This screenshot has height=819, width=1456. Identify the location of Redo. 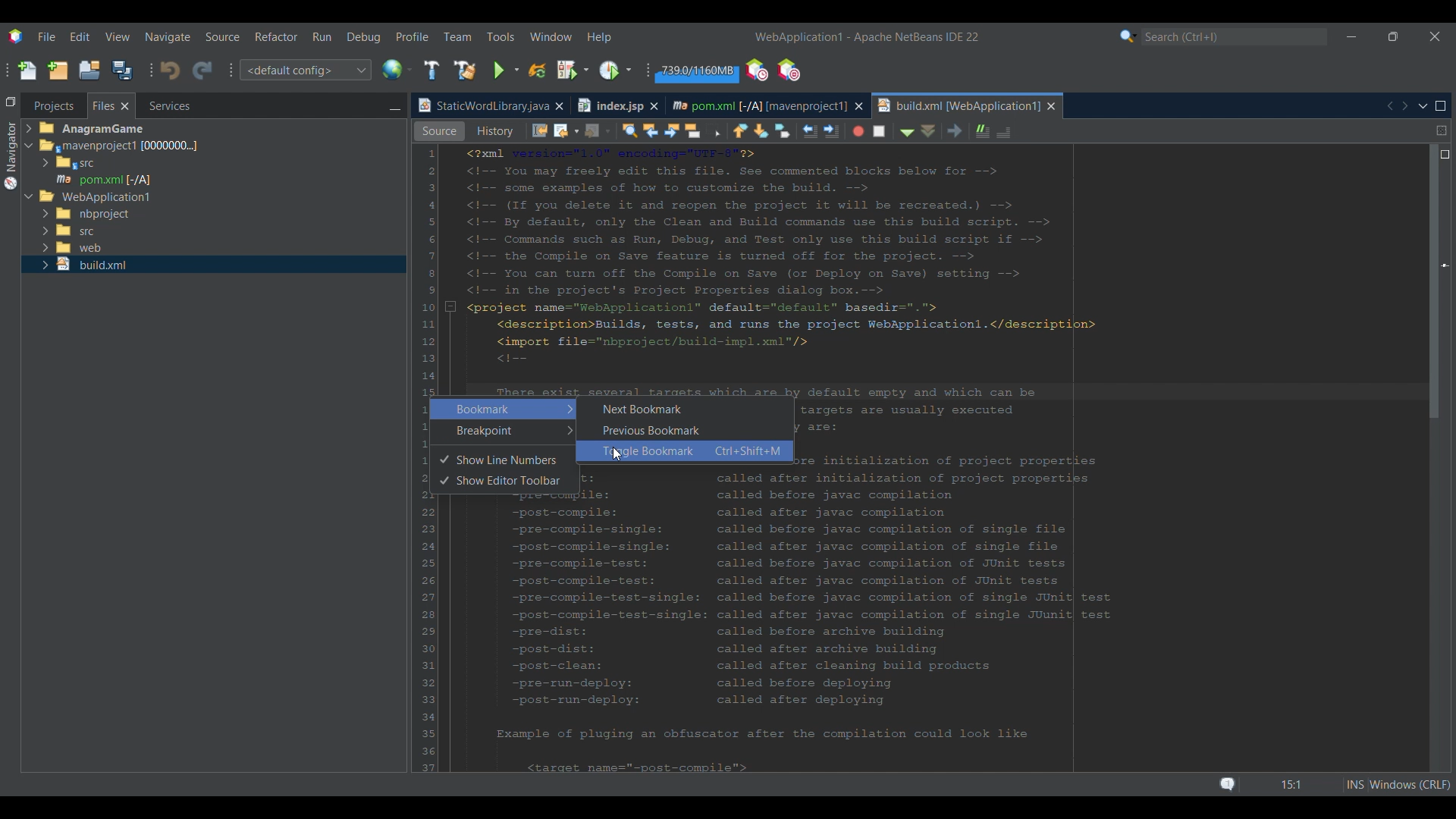
(202, 71).